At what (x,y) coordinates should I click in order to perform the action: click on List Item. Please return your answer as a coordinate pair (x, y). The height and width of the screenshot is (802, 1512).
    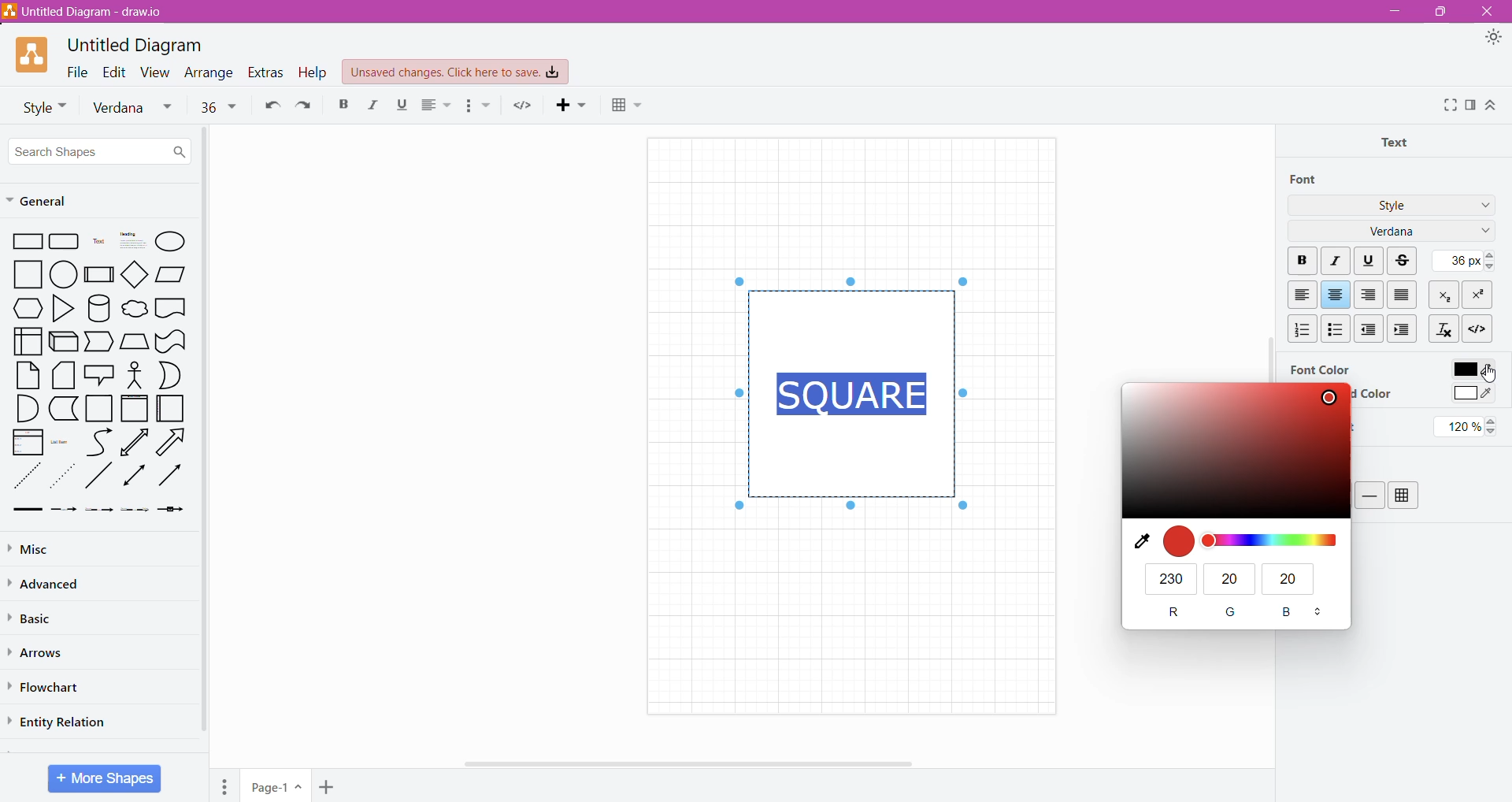
    Looking at the image, I should click on (63, 441).